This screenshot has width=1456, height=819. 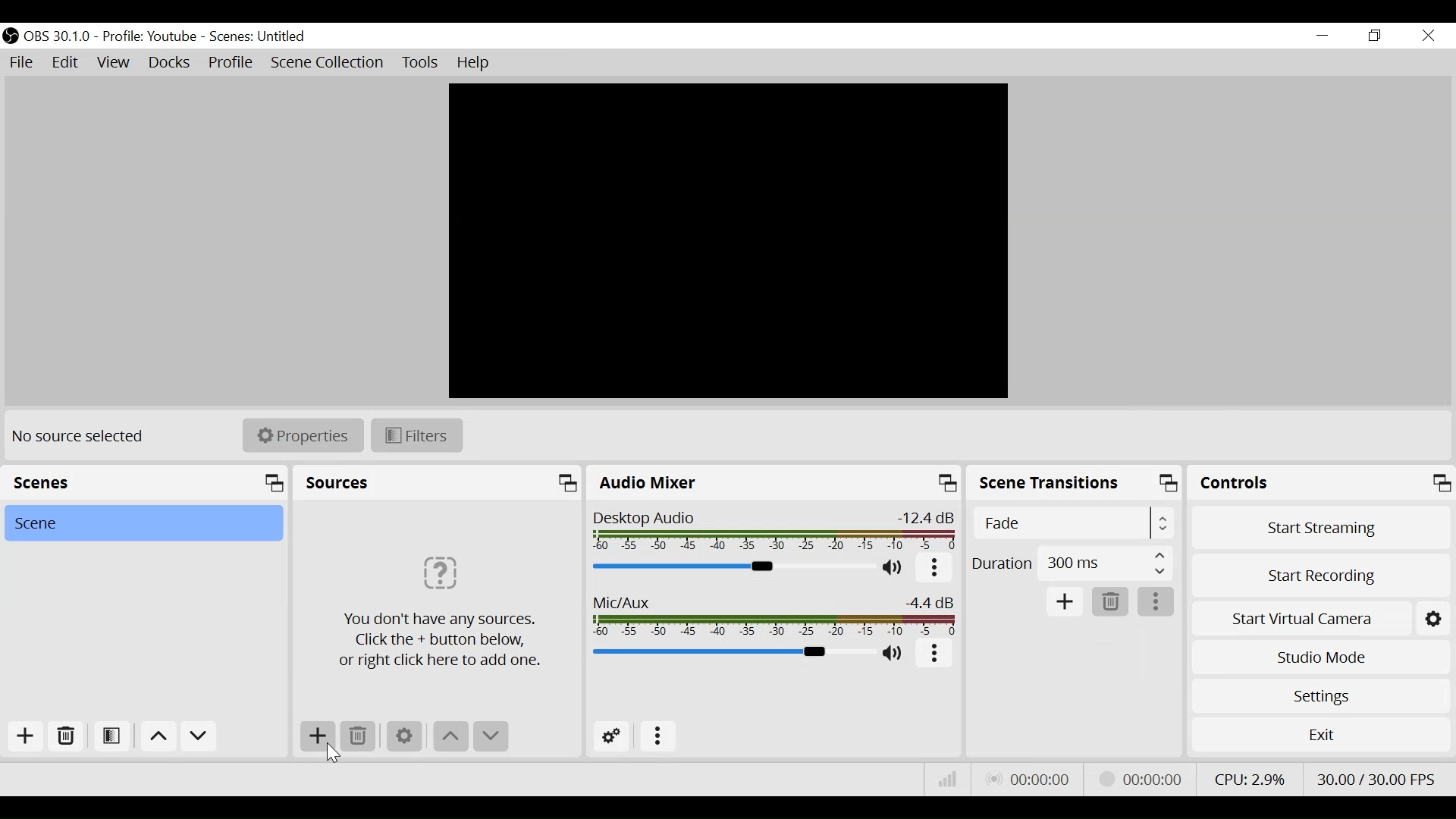 I want to click on Profile, so click(x=231, y=62).